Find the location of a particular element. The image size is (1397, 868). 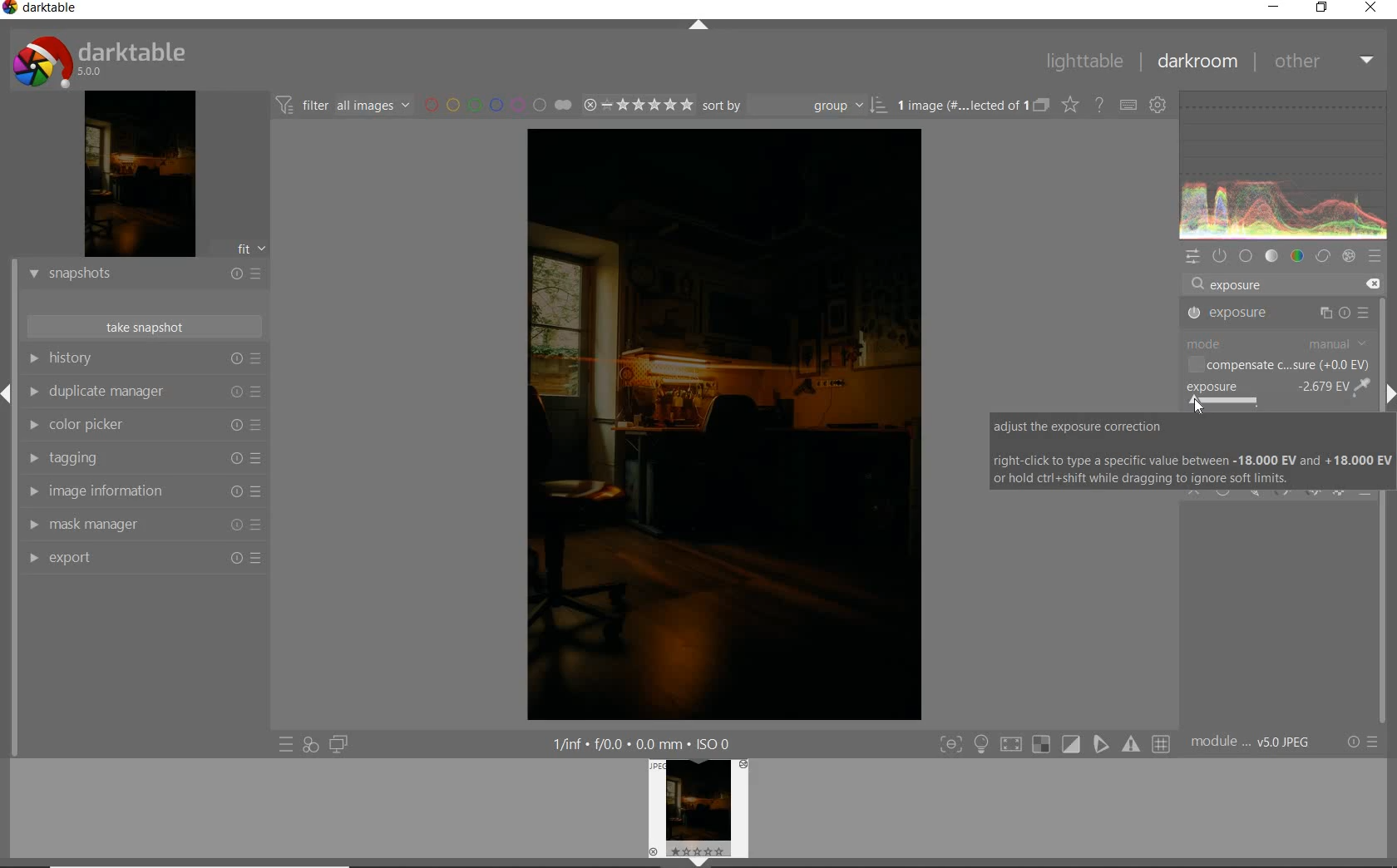

image preview is located at coordinates (703, 811).